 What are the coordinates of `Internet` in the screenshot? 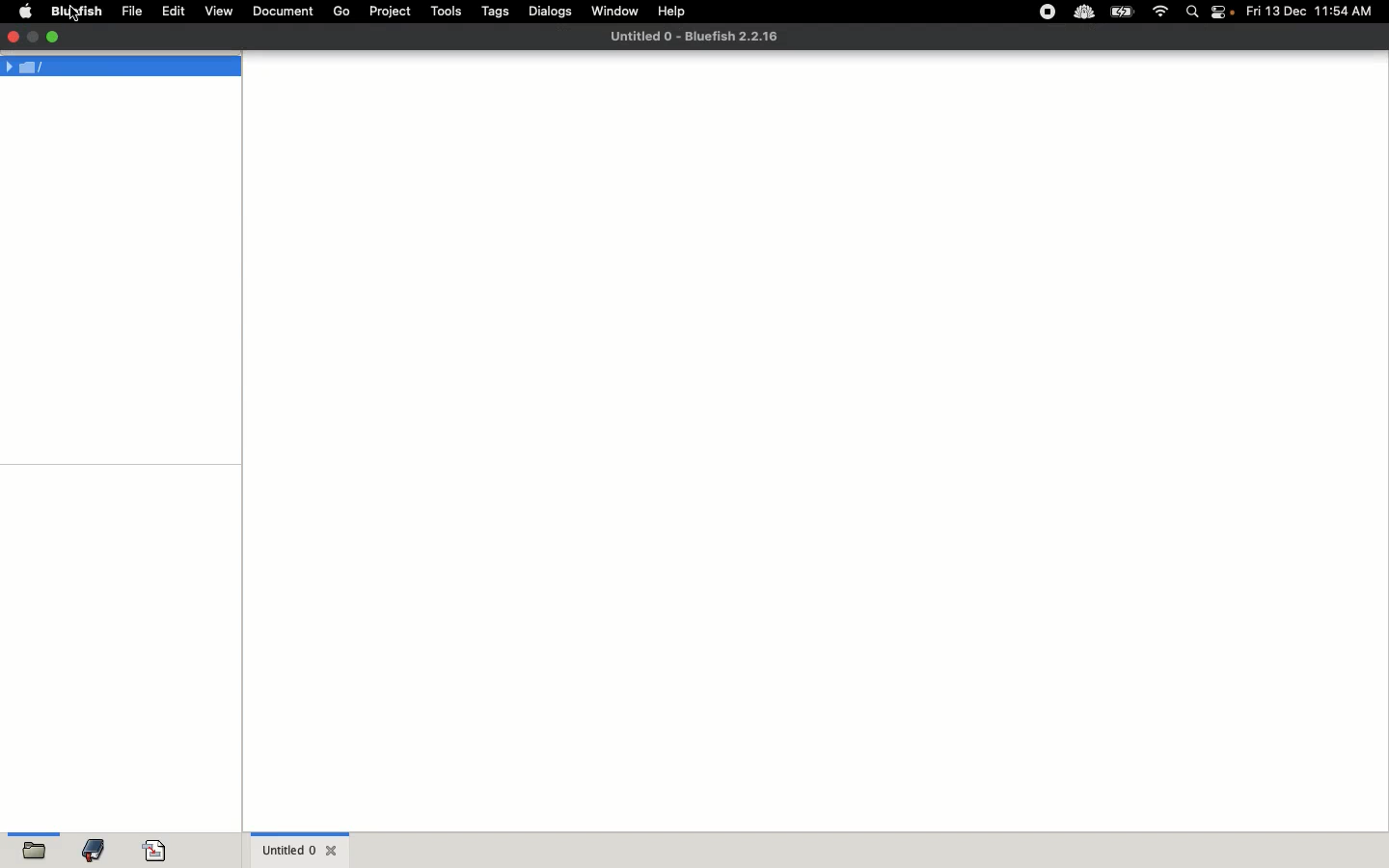 It's located at (1161, 13).